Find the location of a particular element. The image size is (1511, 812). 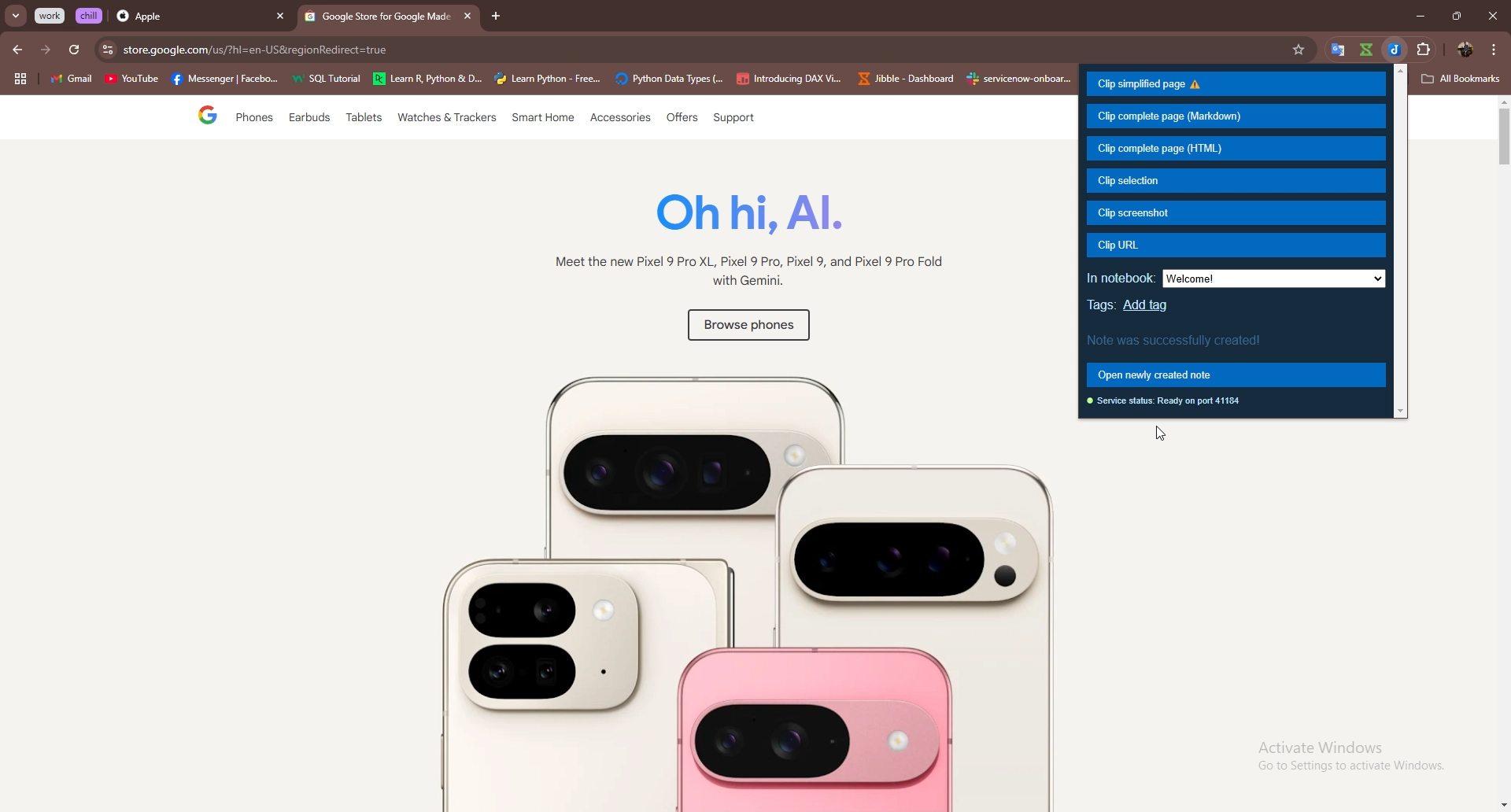

Messenger|Faceb is located at coordinates (227, 79).